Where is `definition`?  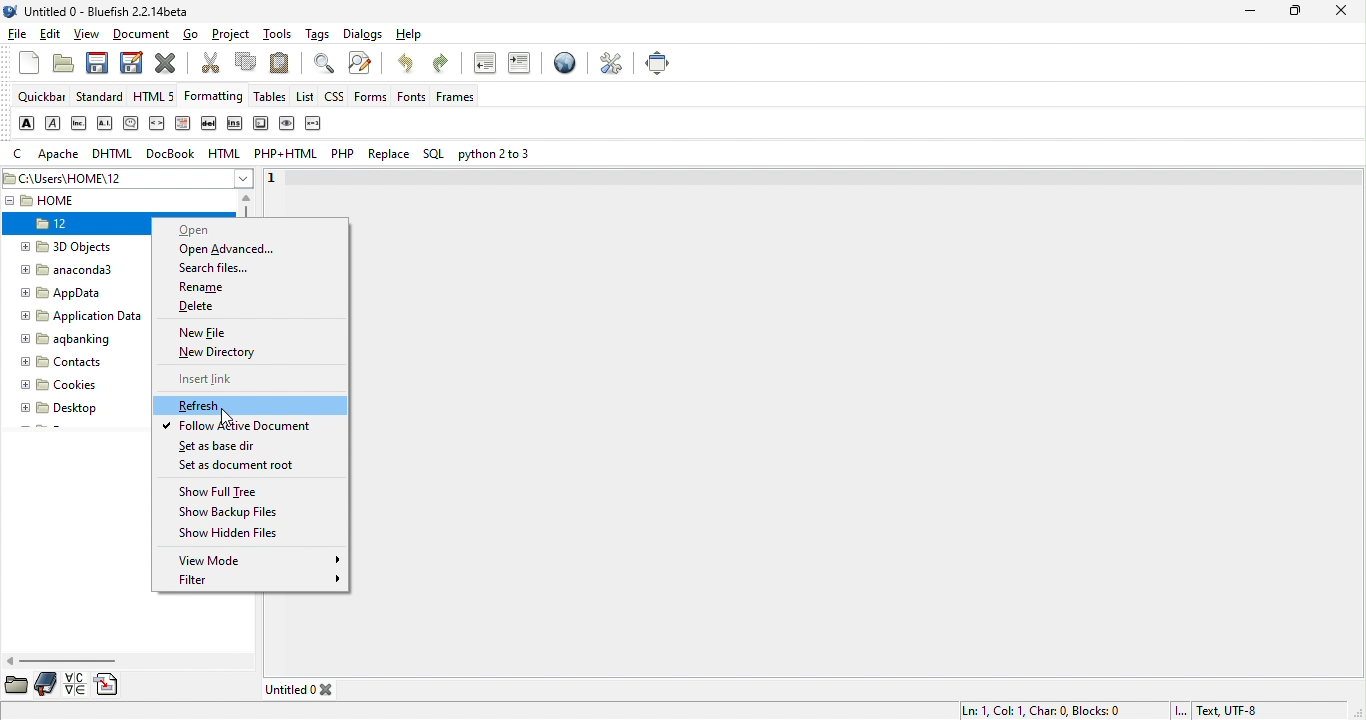
definition is located at coordinates (182, 125).